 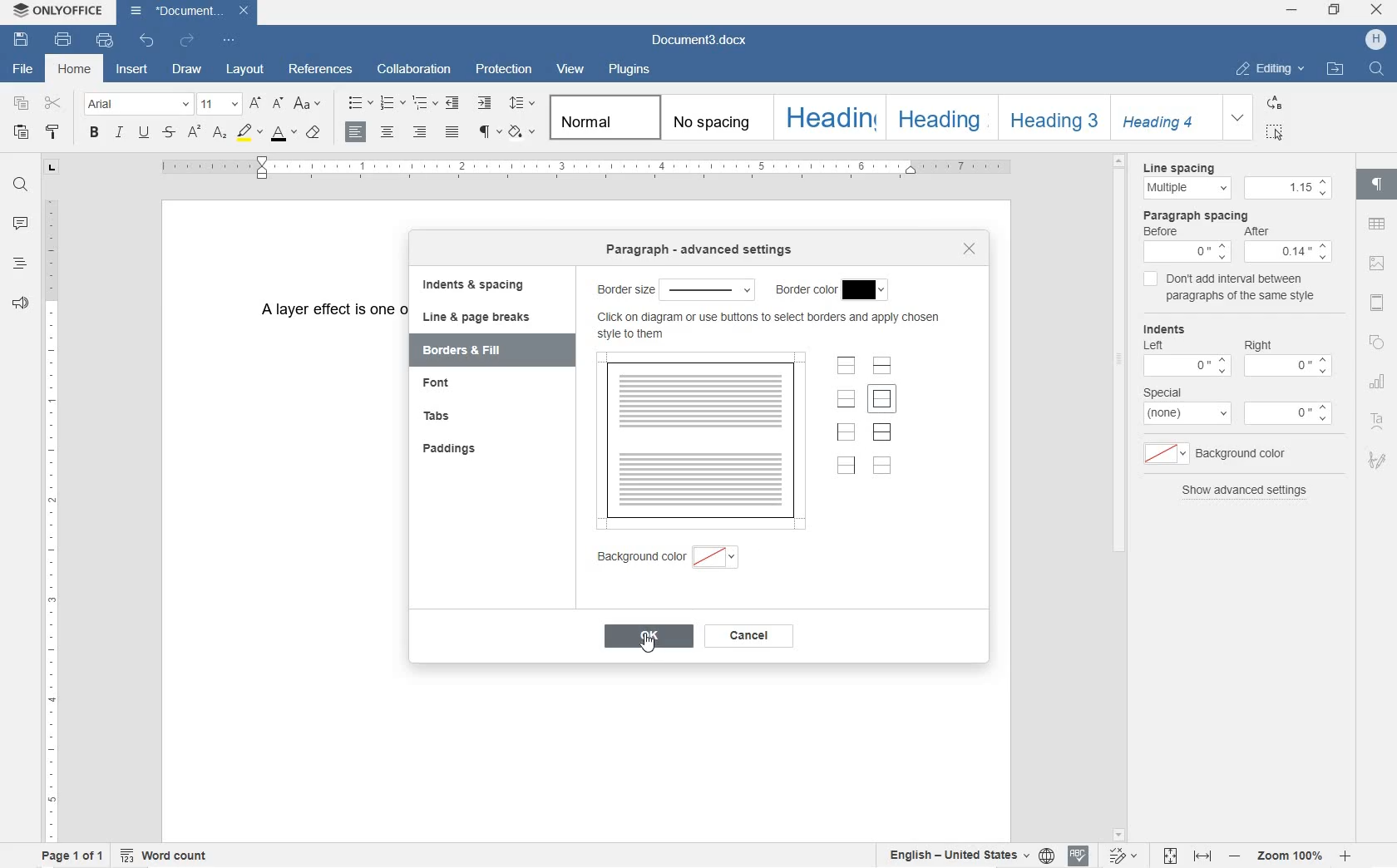 I want to click on COLLABORATION, so click(x=416, y=71).